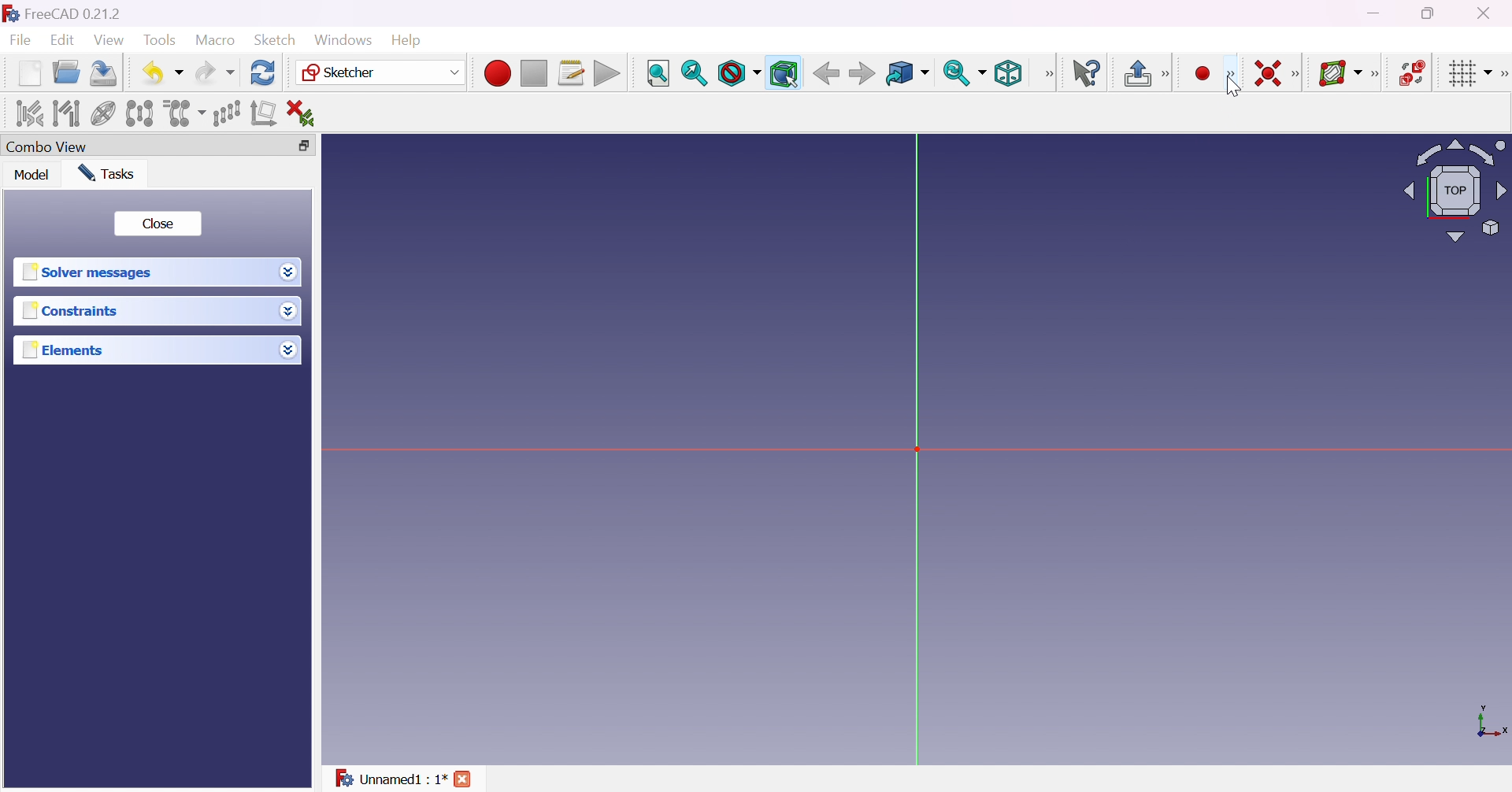  I want to click on Fit all, so click(658, 74).